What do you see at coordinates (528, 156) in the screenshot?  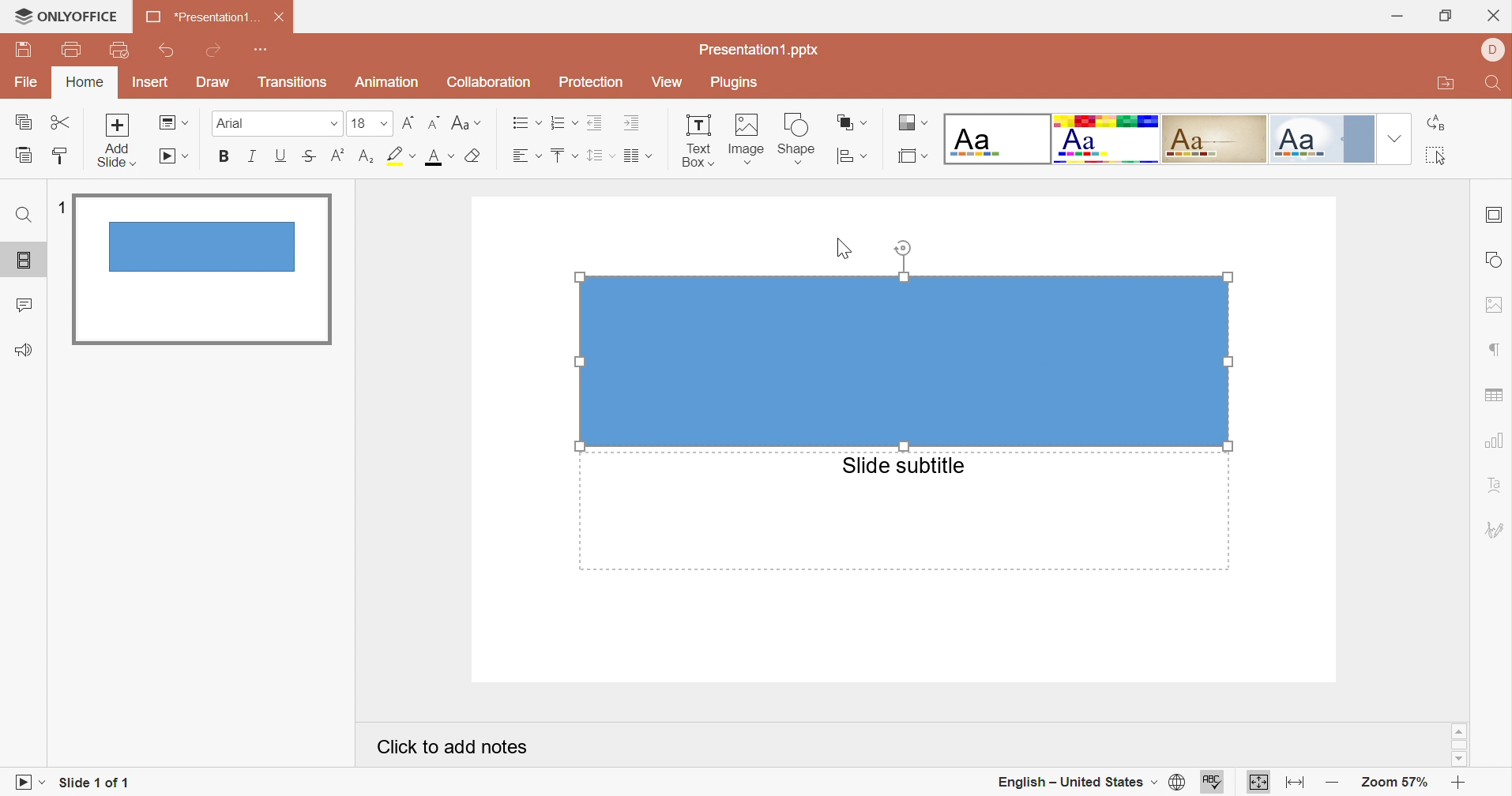 I see `Horizontal align` at bounding box center [528, 156].